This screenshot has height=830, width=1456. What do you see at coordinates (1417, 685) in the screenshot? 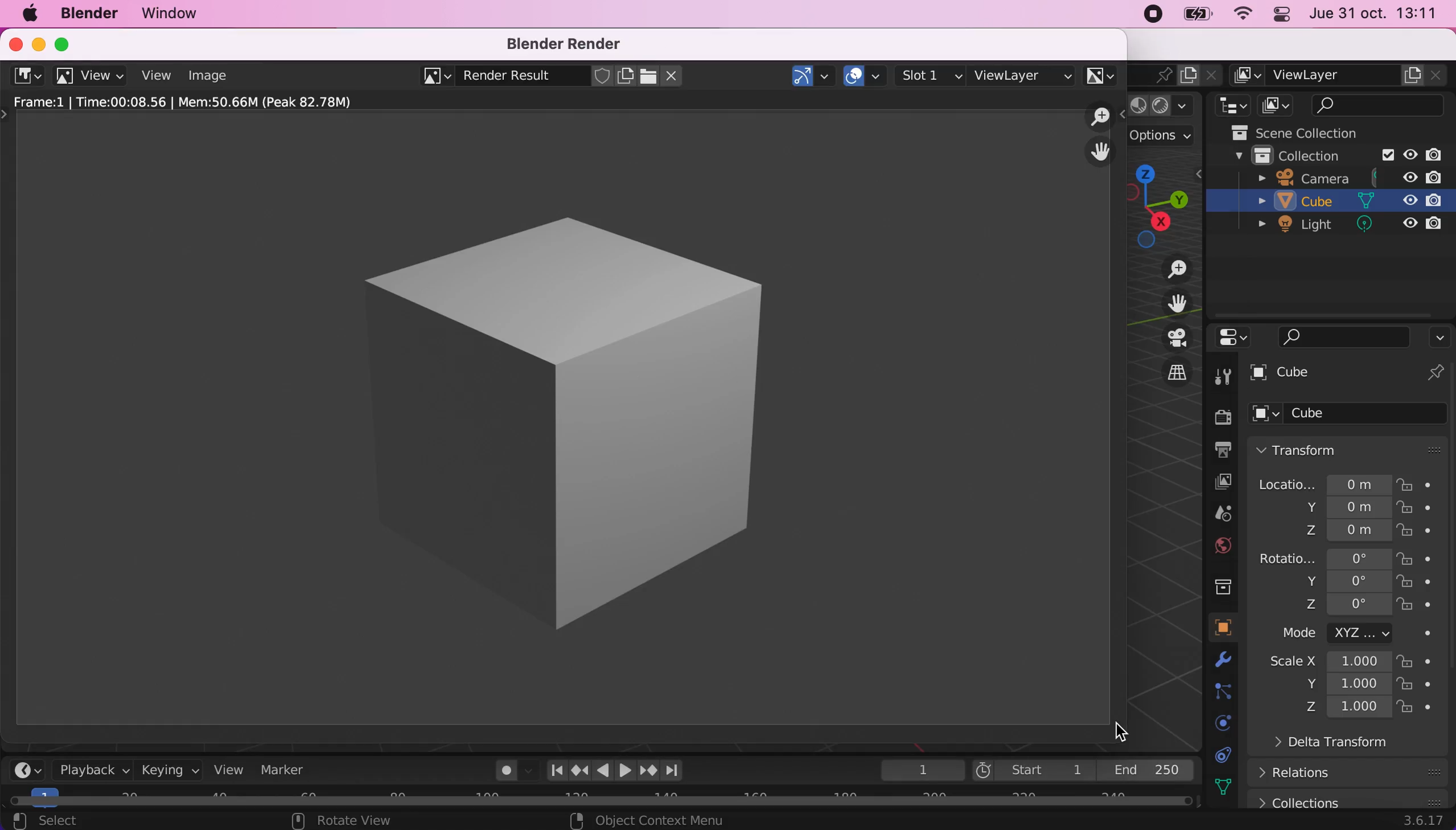
I see `lock` at bounding box center [1417, 685].